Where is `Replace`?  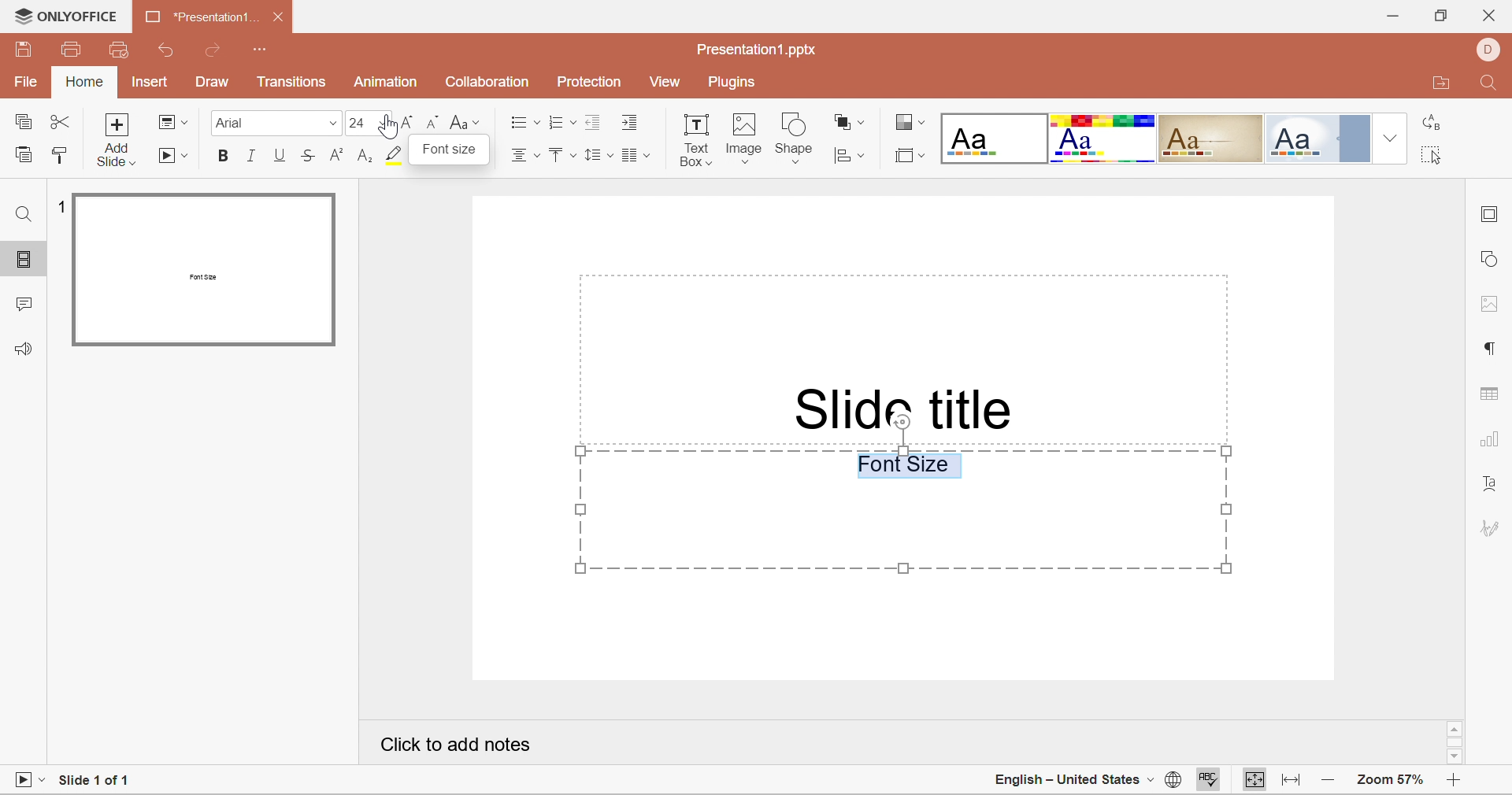 Replace is located at coordinates (1433, 124).